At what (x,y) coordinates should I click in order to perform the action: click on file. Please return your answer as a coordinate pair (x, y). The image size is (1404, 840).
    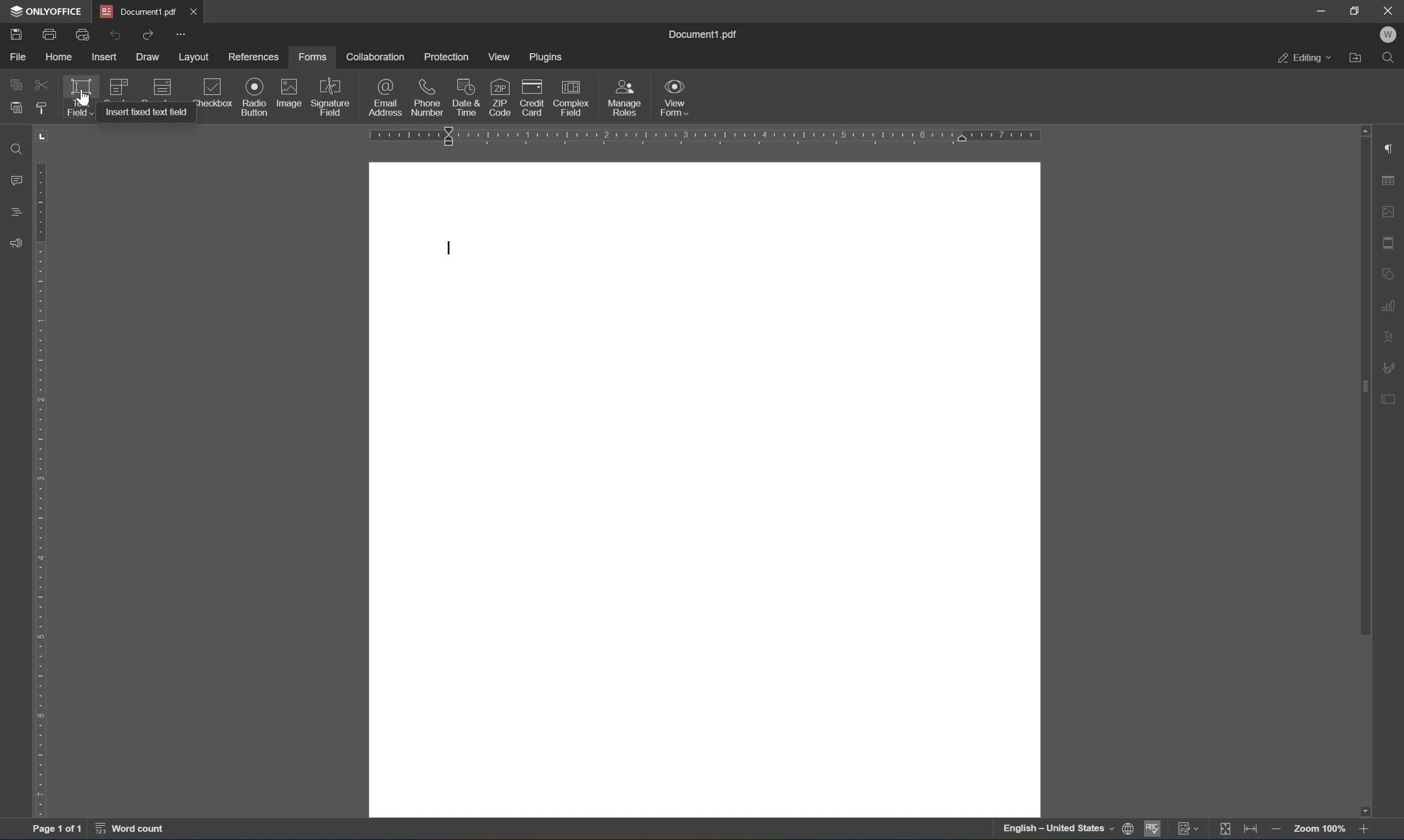
    Looking at the image, I should click on (17, 56).